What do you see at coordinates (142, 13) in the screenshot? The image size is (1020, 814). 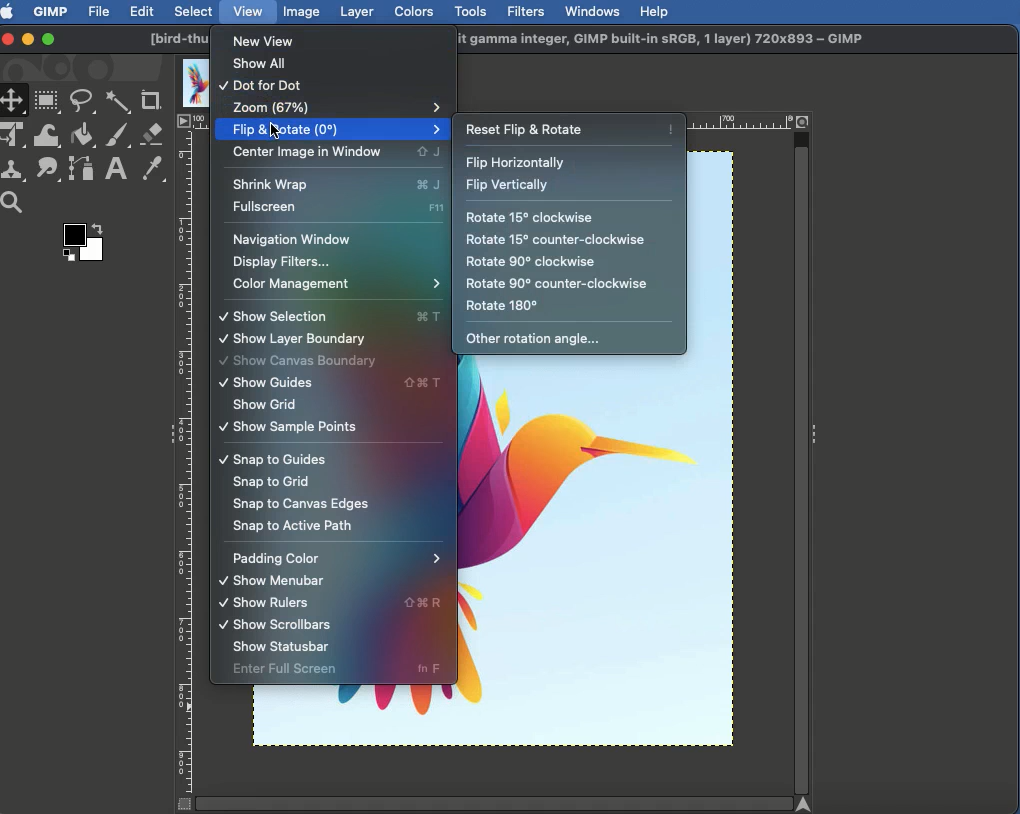 I see `Edit` at bounding box center [142, 13].